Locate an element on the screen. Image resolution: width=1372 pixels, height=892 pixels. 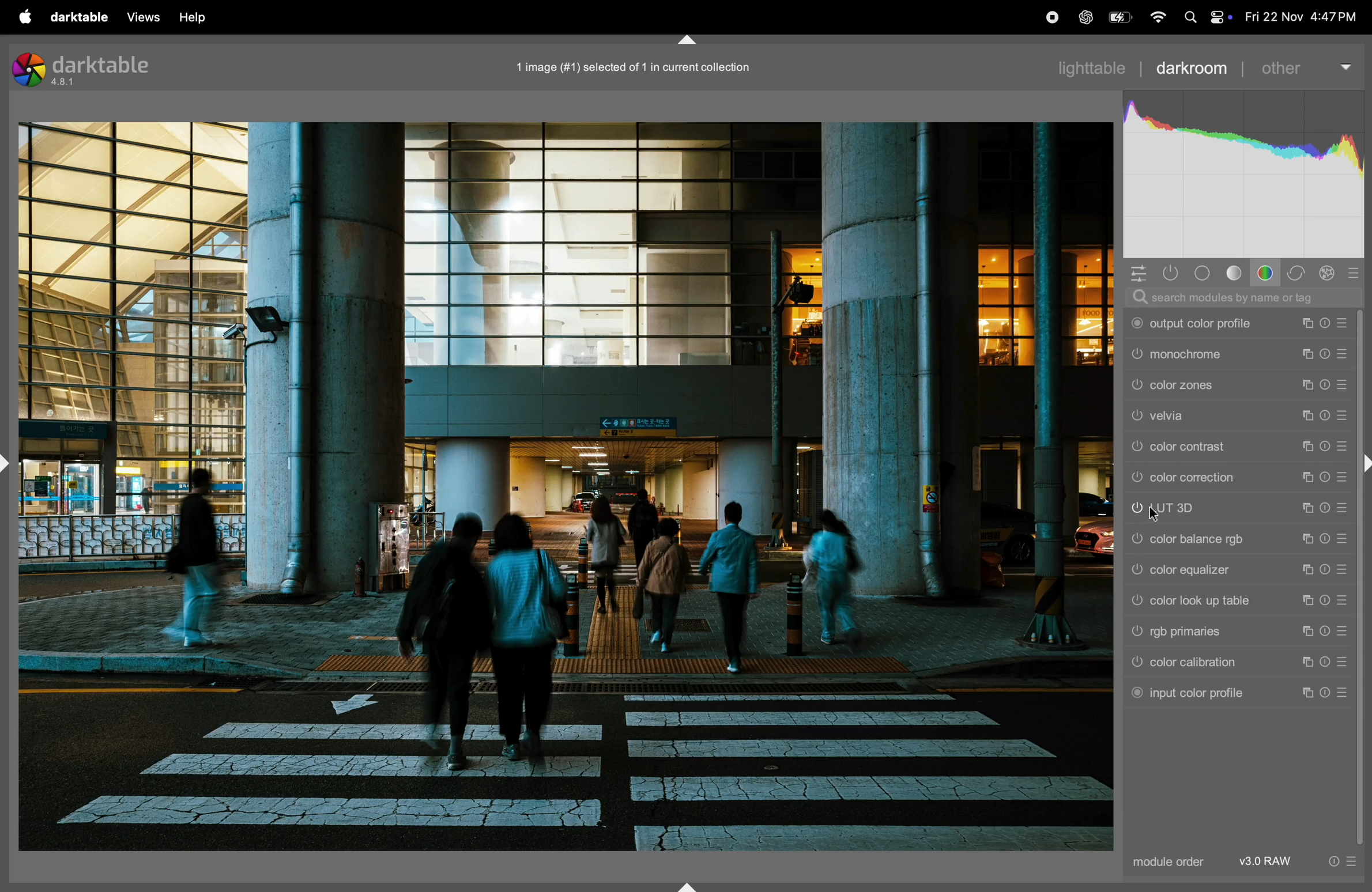
reset is located at coordinates (1326, 627).